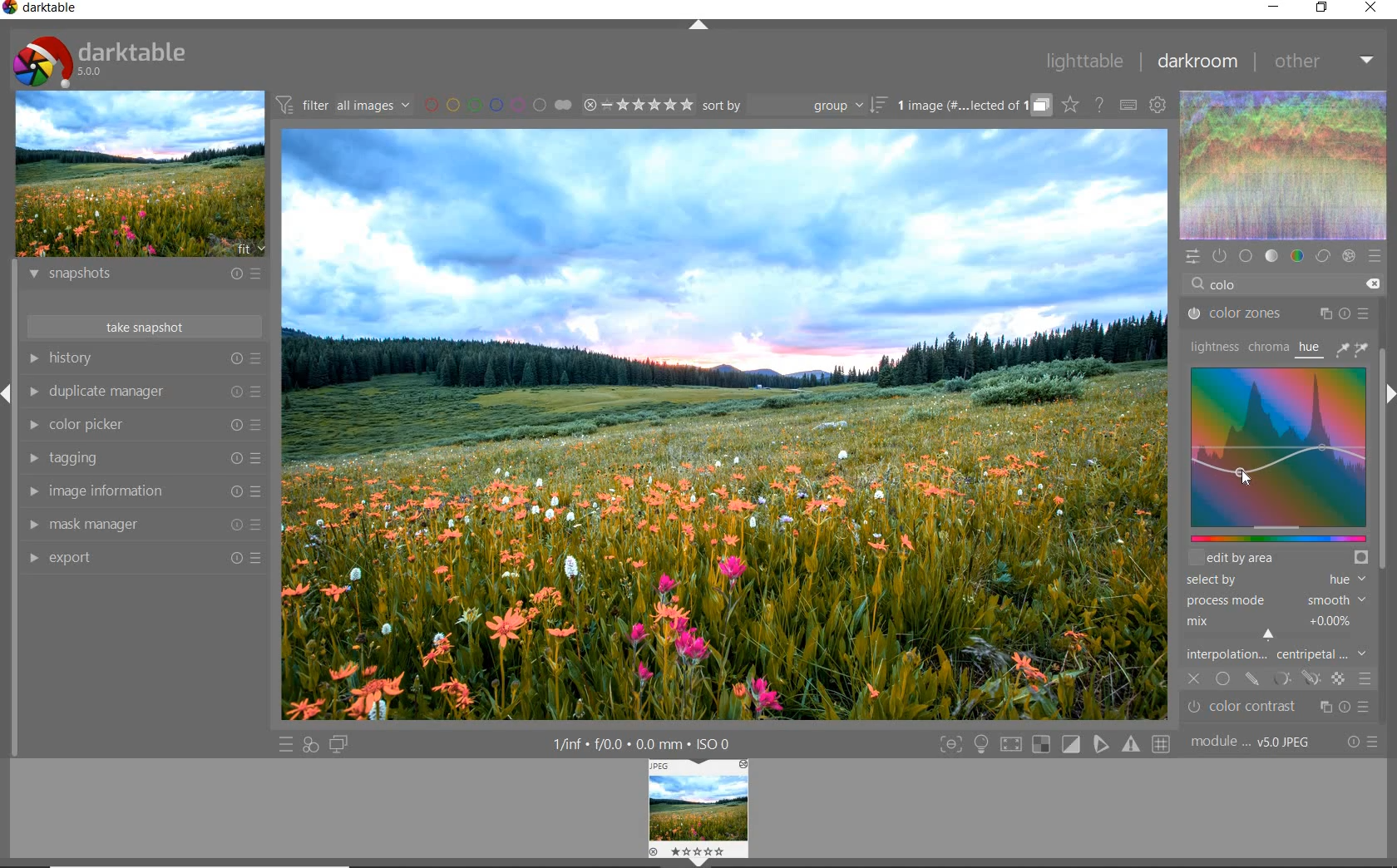 The height and width of the screenshot is (868, 1397). Describe the element at coordinates (793, 107) in the screenshot. I see `sort` at that location.